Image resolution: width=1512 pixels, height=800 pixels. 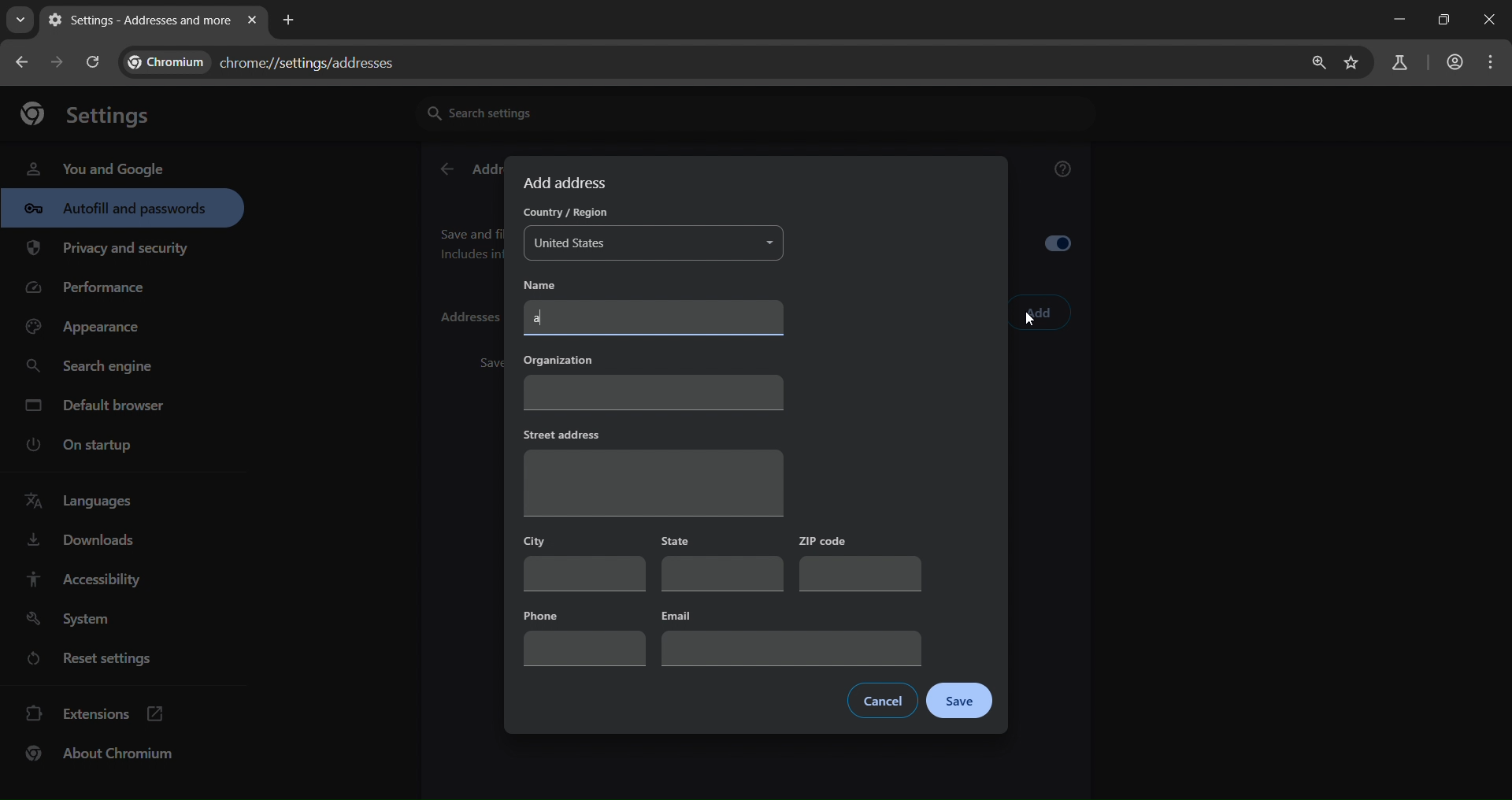 What do you see at coordinates (60, 61) in the screenshot?
I see `go back one page` at bounding box center [60, 61].